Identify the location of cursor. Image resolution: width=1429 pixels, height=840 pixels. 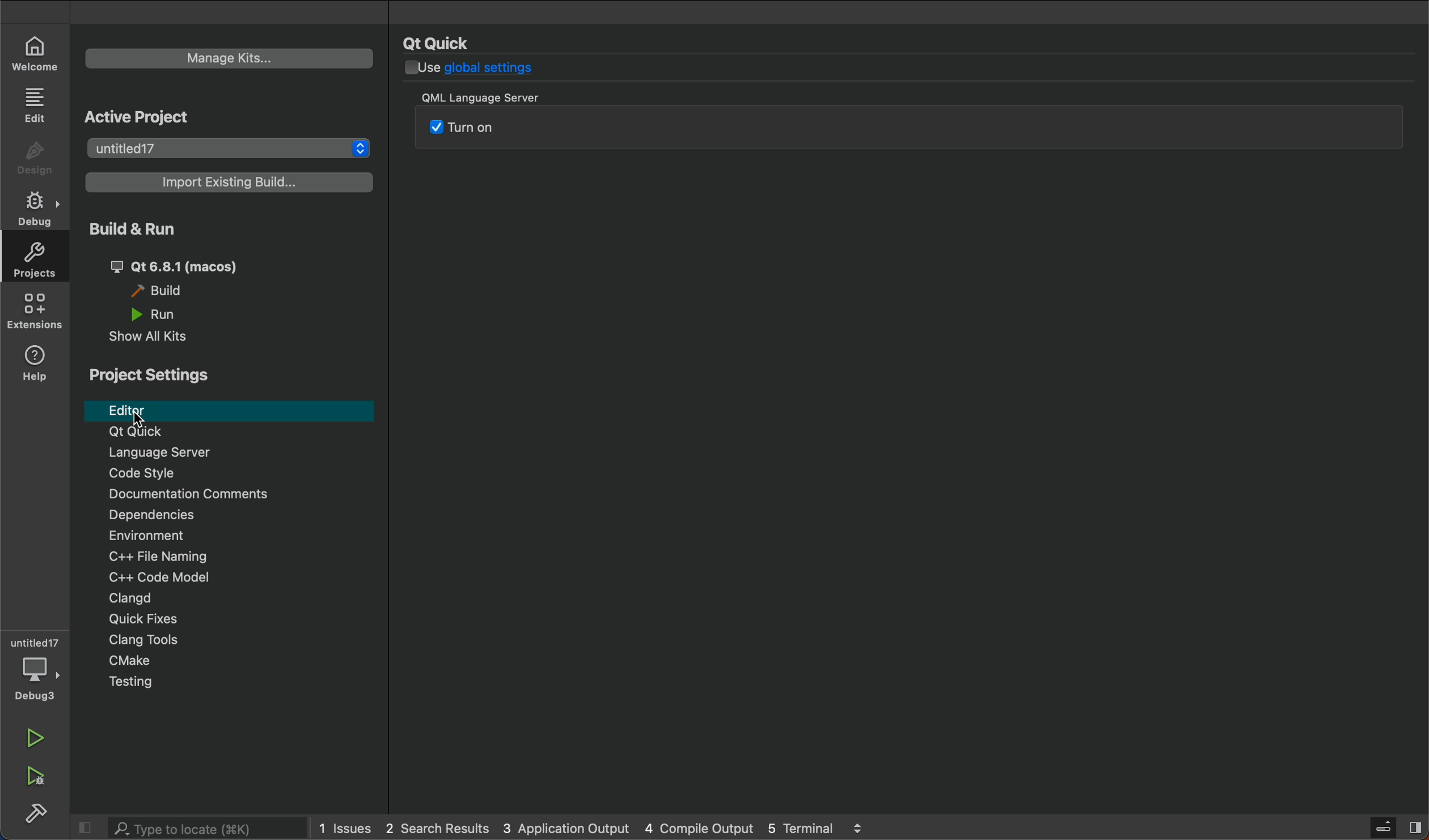
(141, 419).